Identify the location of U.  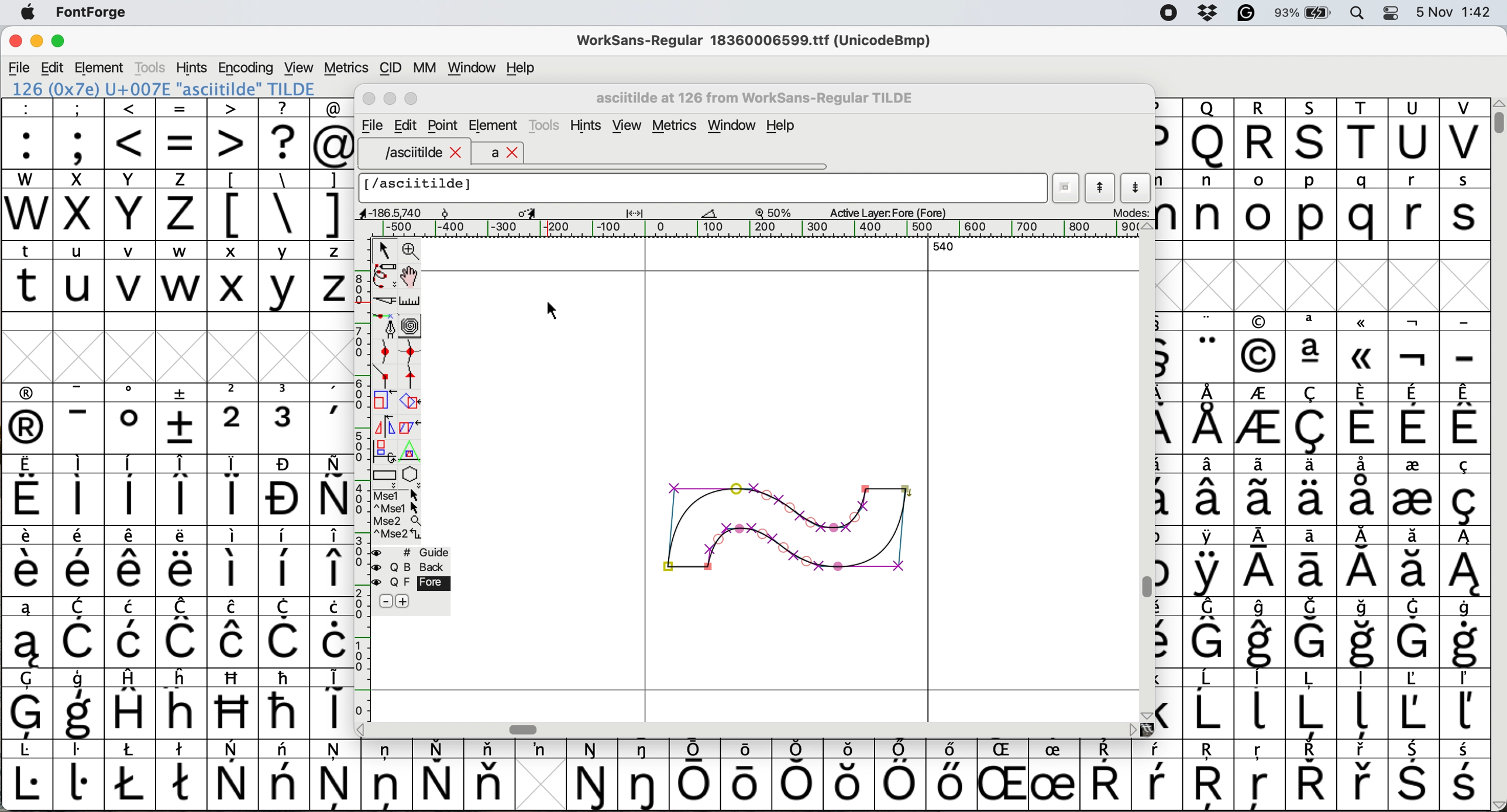
(1413, 134).